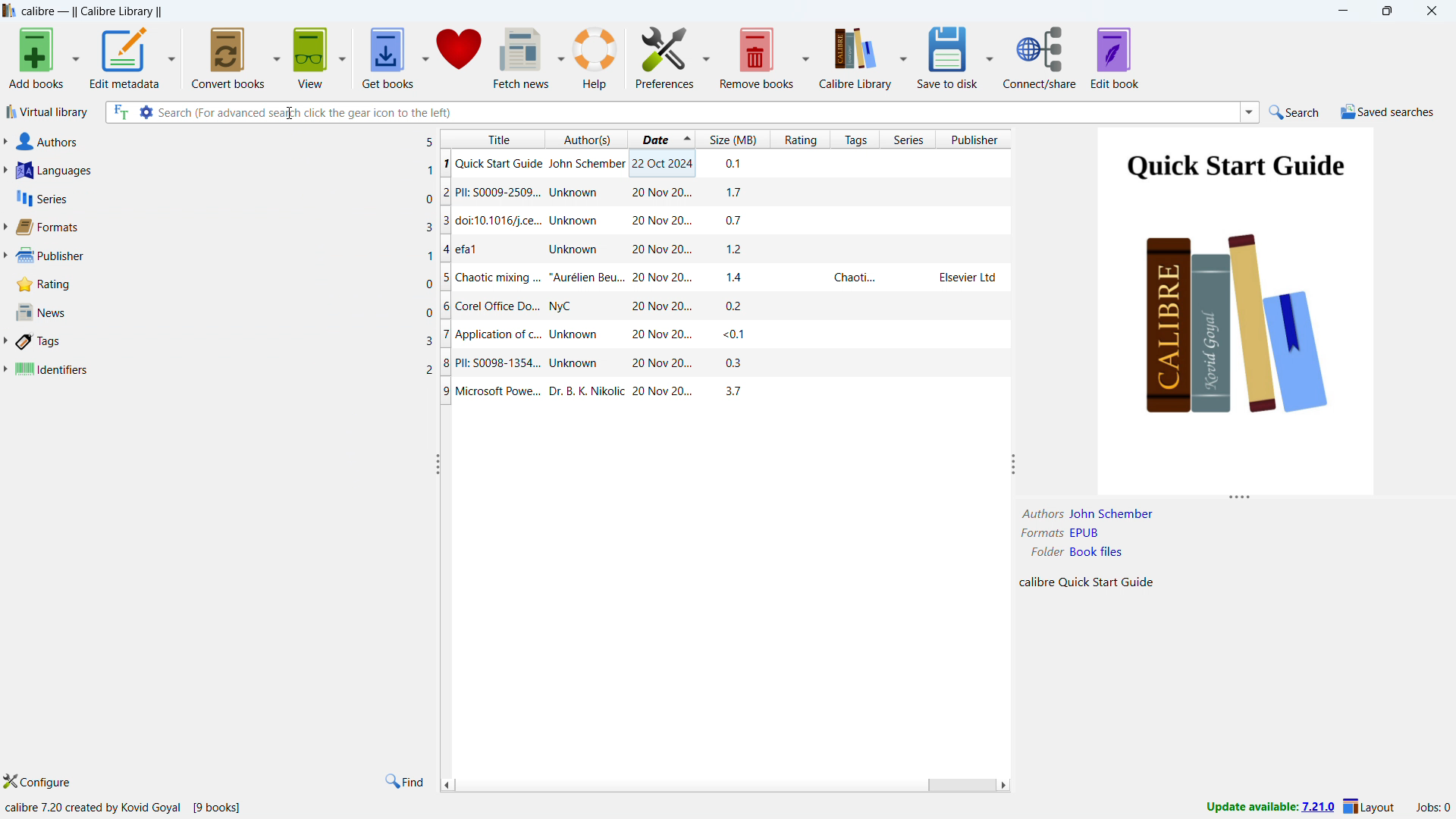 This screenshot has height=819, width=1456. I want to click on expand authors, so click(5, 141).